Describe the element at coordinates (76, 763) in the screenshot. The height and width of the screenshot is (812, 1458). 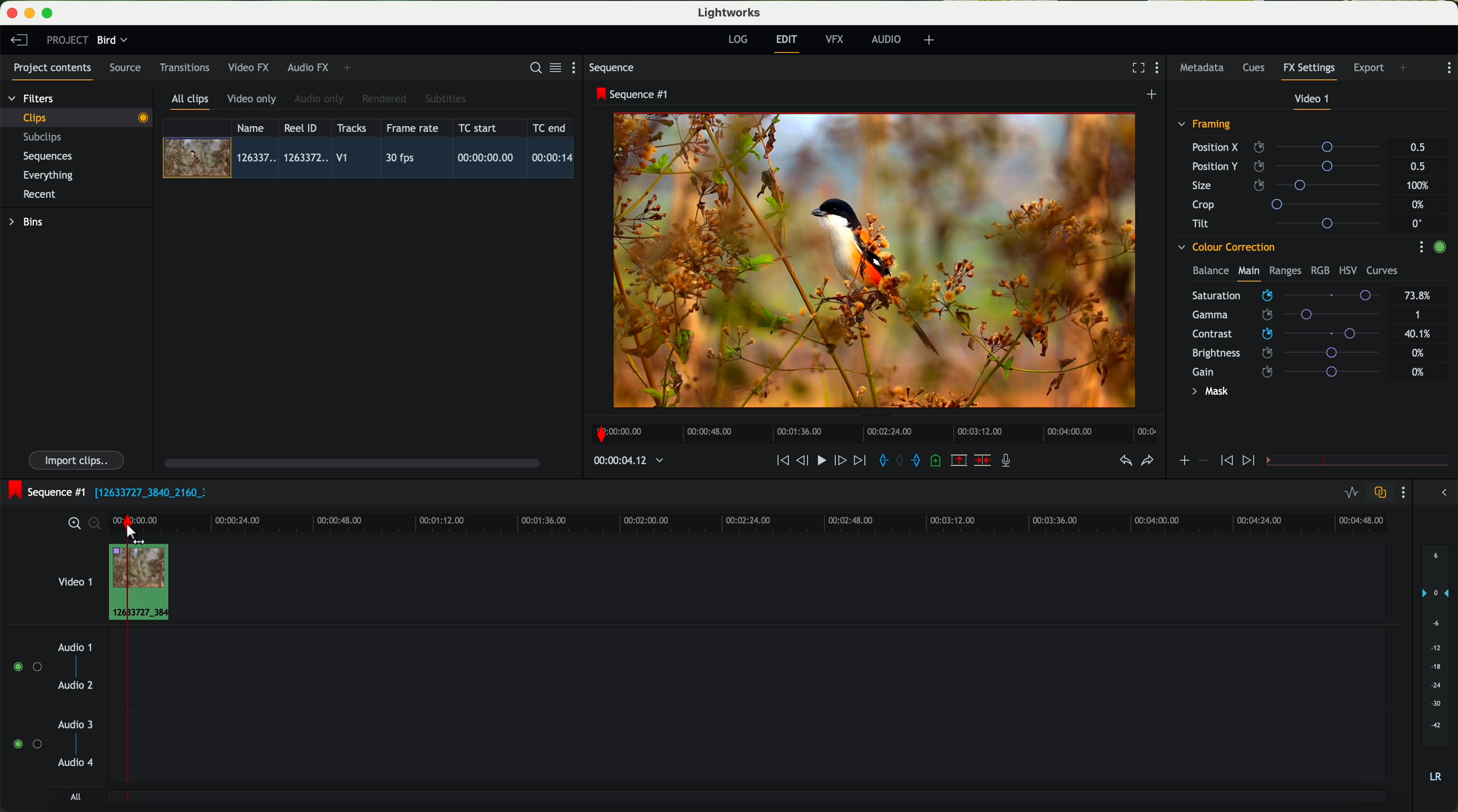
I see `audio 4` at that location.